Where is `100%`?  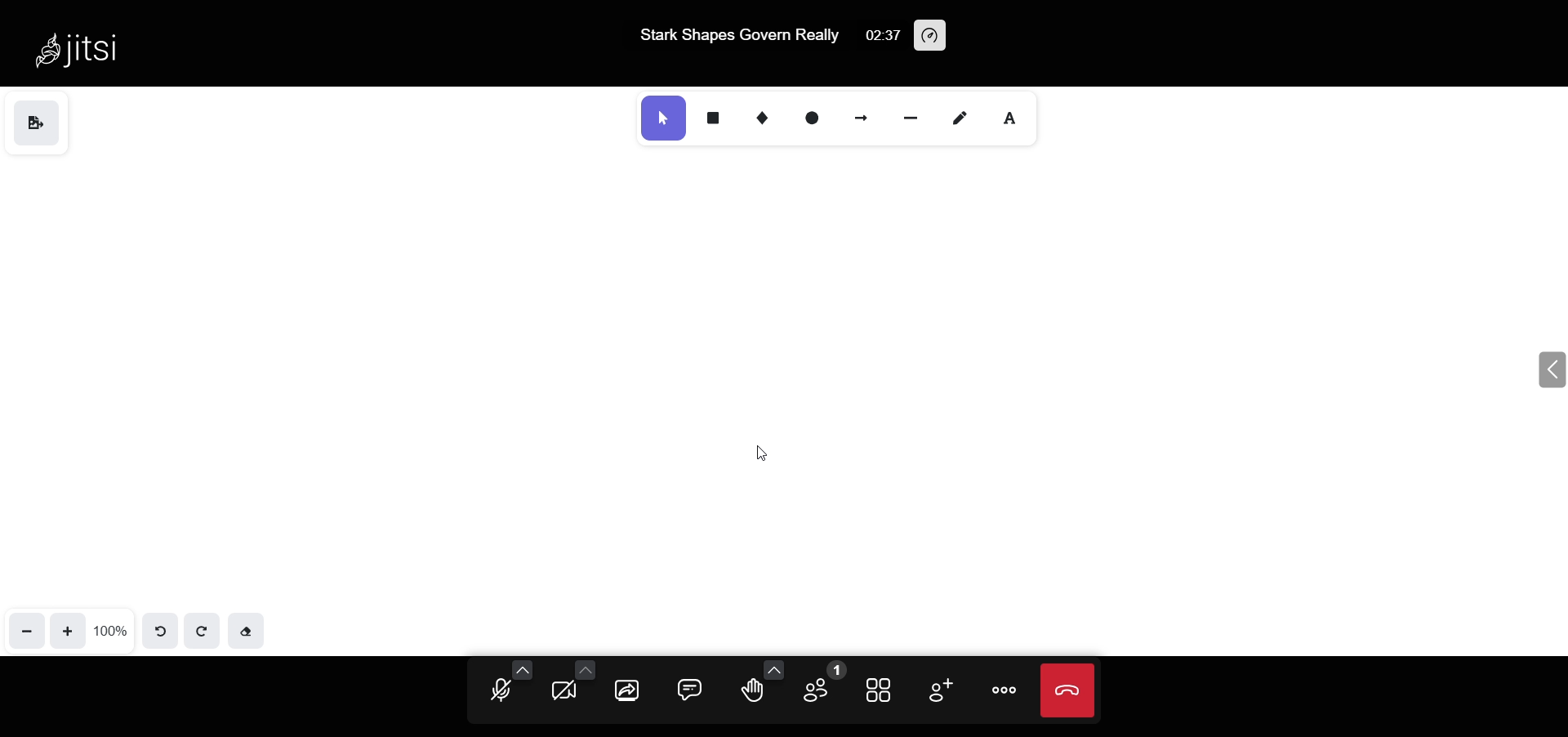
100% is located at coordinates (114, 628).